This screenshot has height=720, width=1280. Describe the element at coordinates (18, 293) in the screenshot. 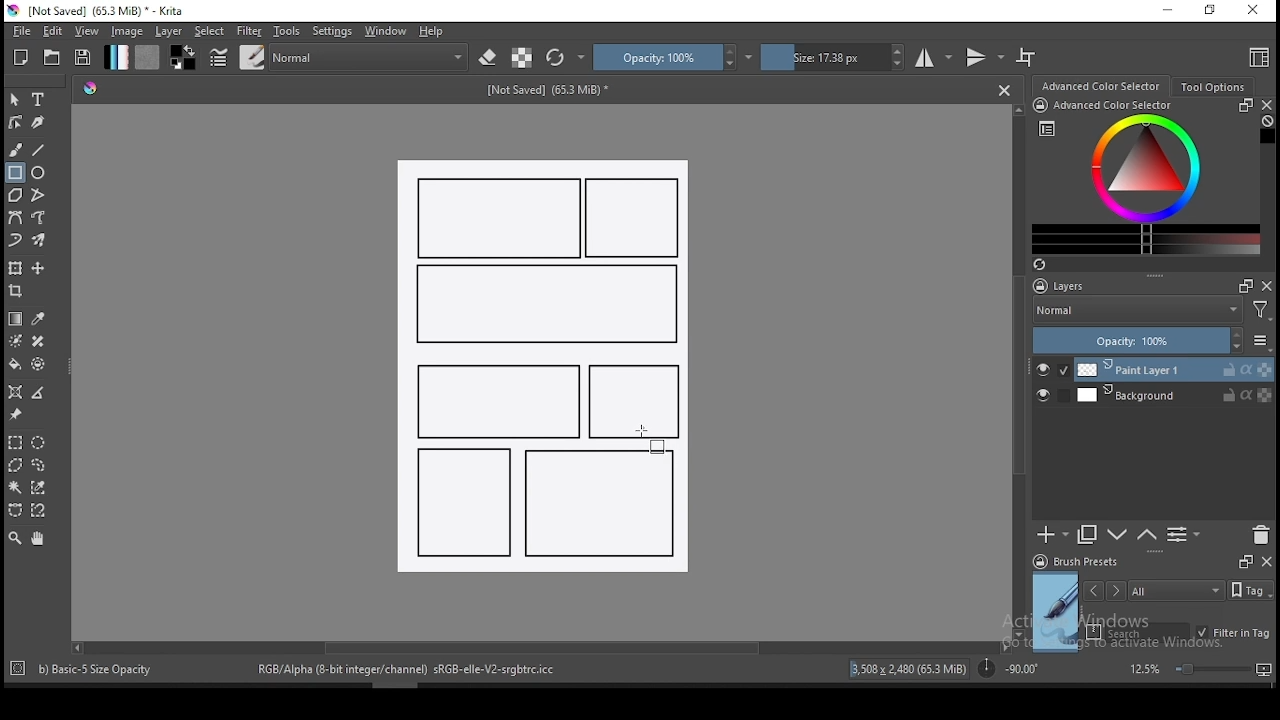

I see `crop tool` at that location.